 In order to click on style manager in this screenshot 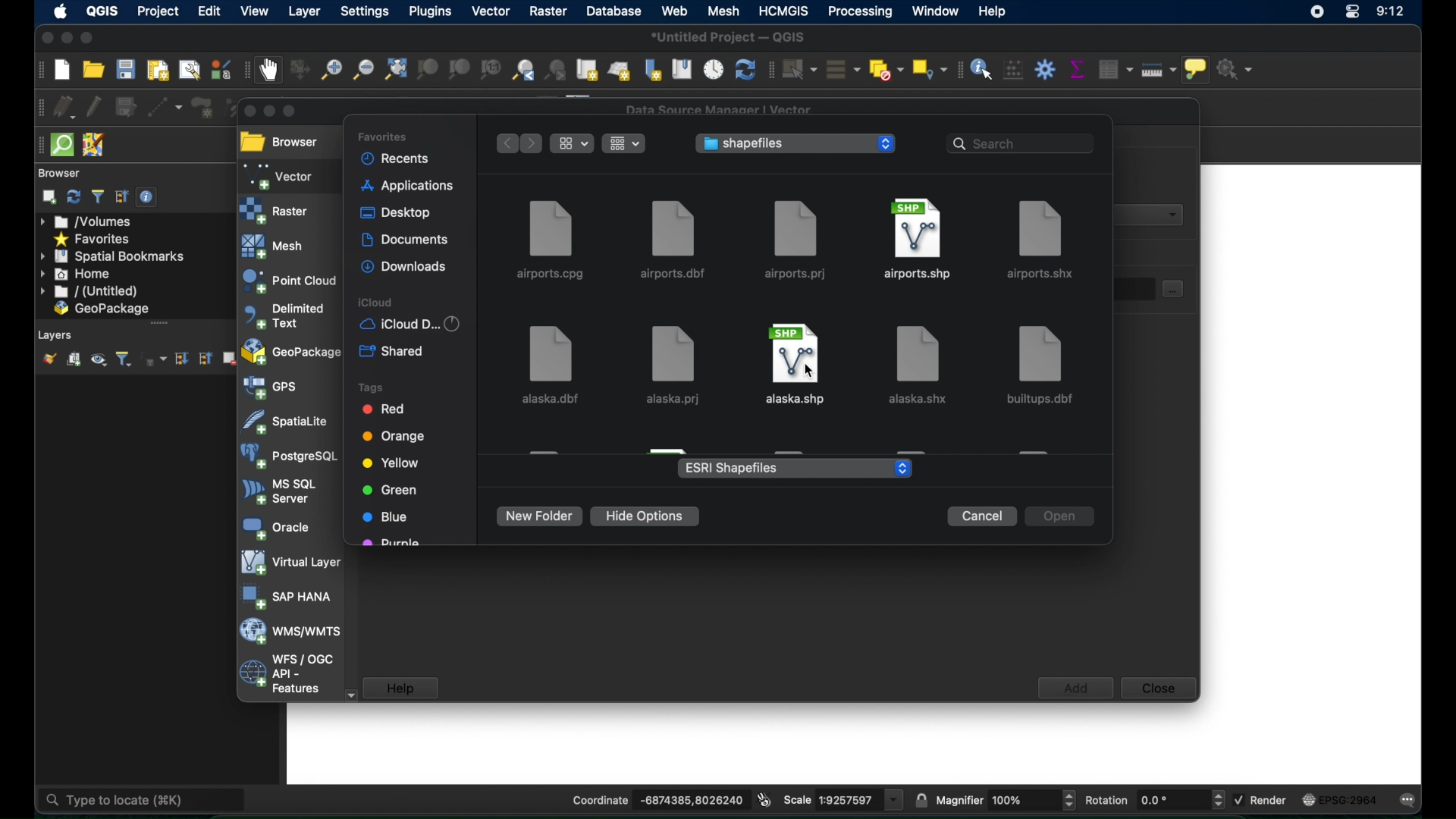, I will do `click(220, 68)`.